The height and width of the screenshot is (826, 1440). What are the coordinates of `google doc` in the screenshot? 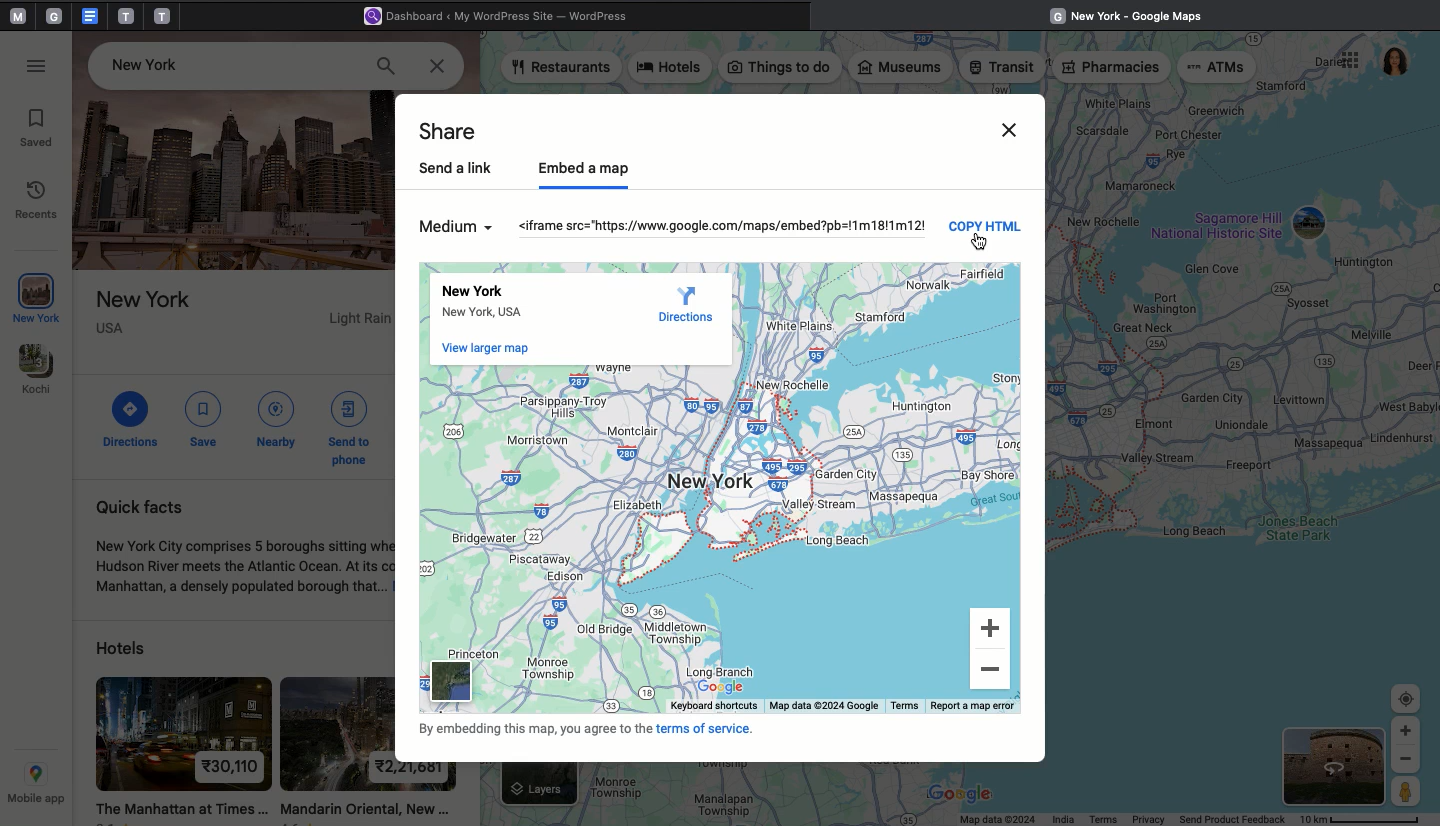 It's located at (89, 15).